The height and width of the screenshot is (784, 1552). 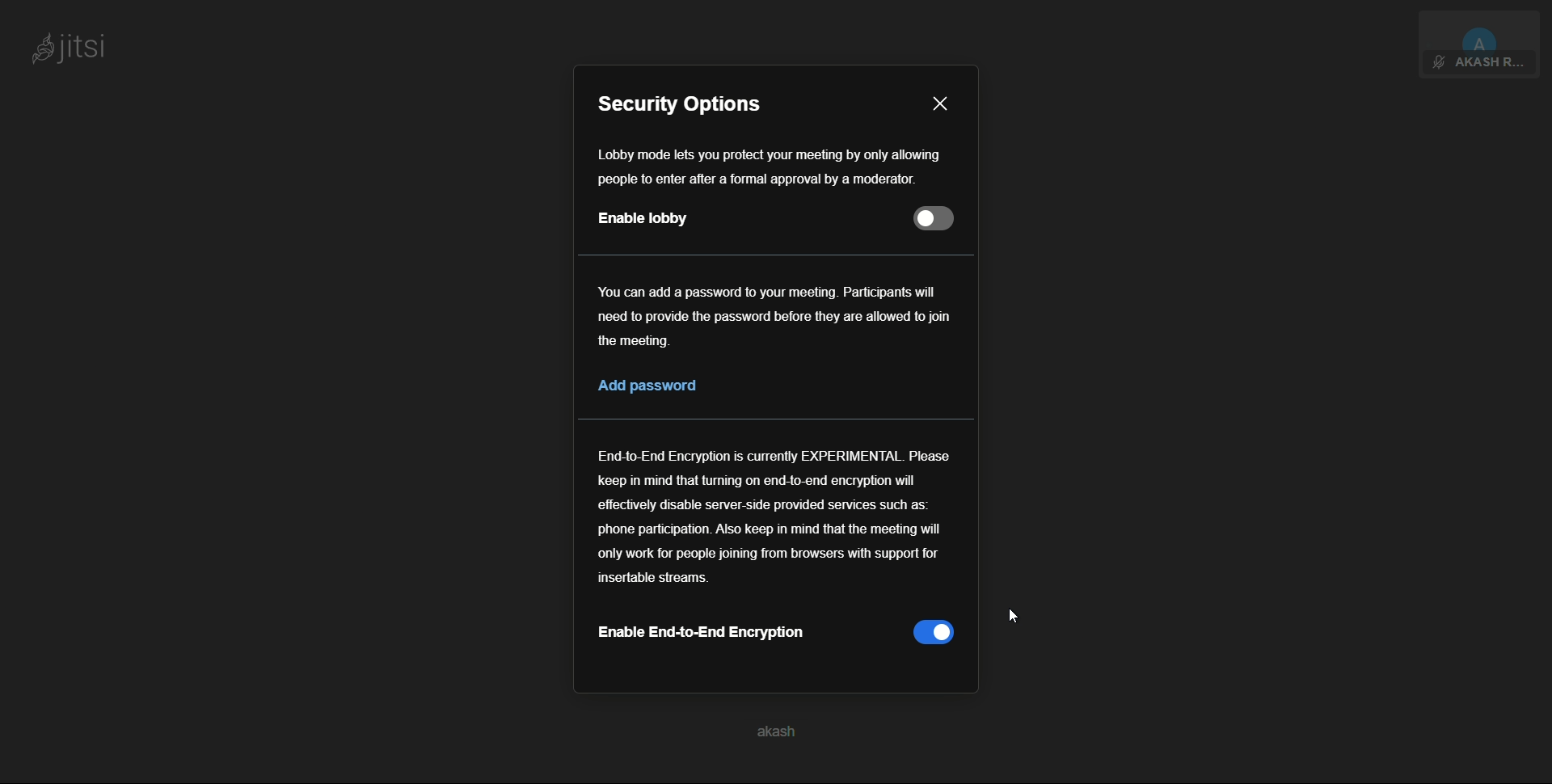 What do you see at coordinates (69, 51) in the screenshot?
I see `jitsi` at bounding box center [69, 51].